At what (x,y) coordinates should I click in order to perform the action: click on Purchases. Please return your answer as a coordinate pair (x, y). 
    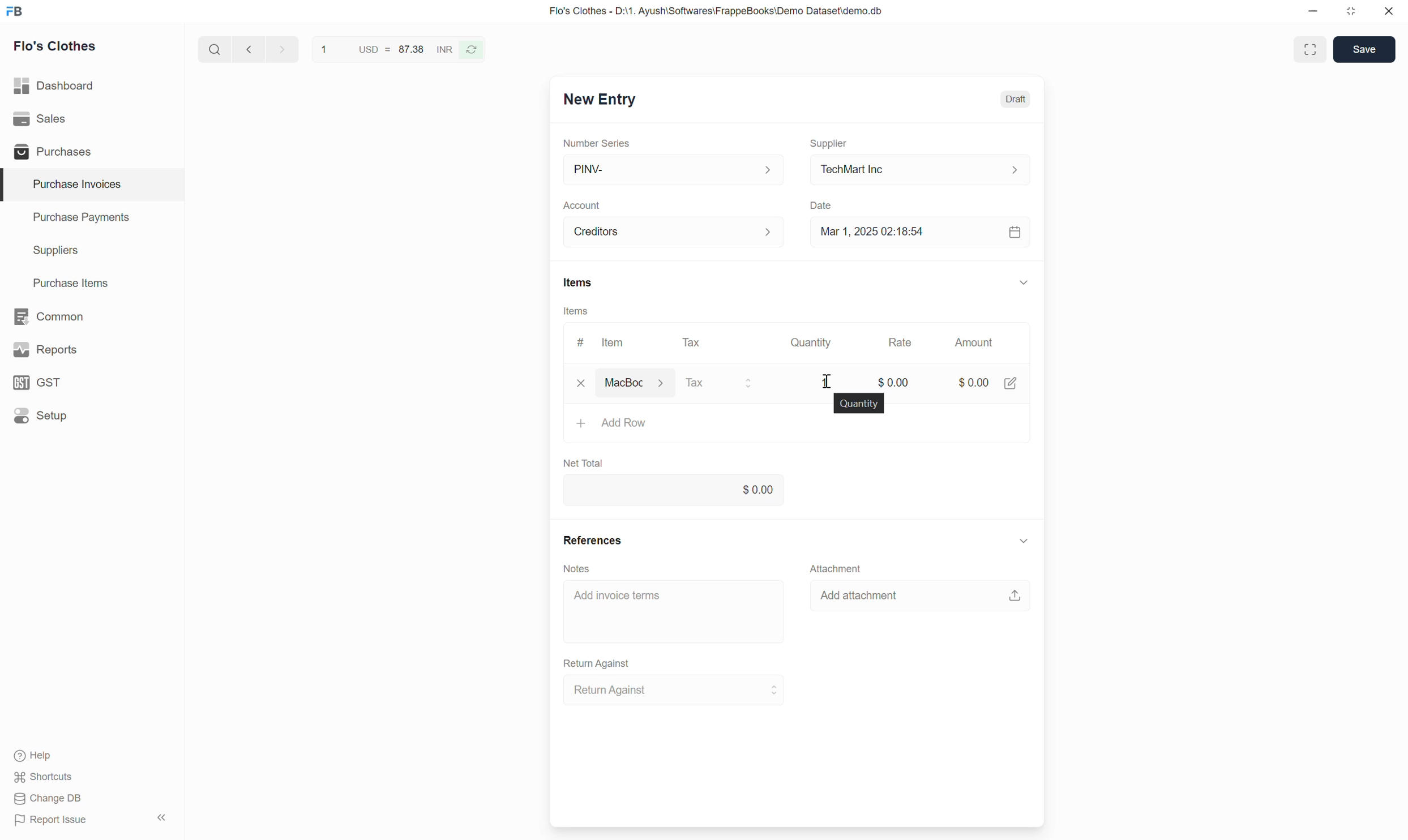
    Looking at the image, I should click on (91, 151).